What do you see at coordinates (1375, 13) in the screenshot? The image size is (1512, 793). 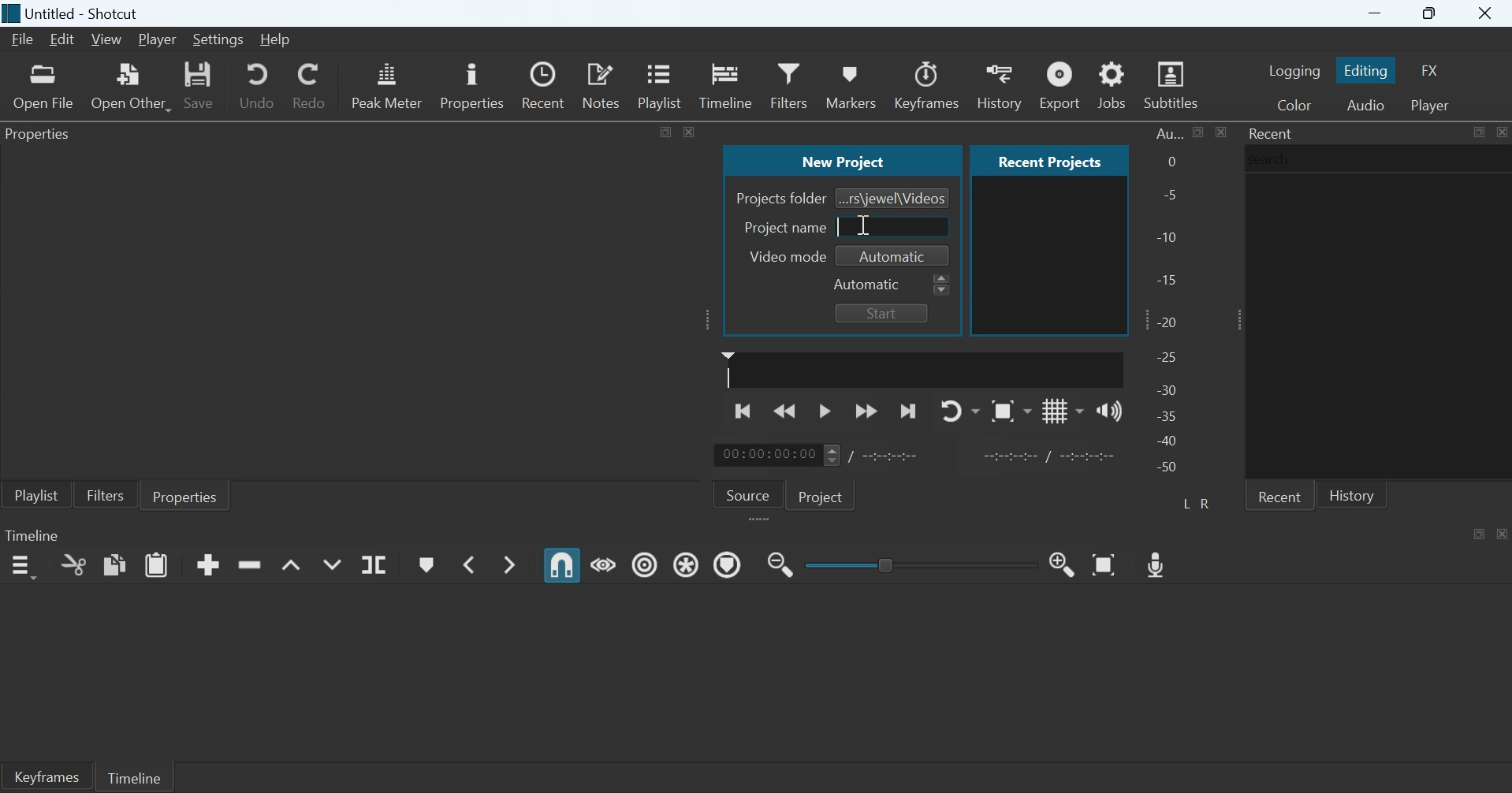 I see `Minimize` at bounding box center [1375, 13].